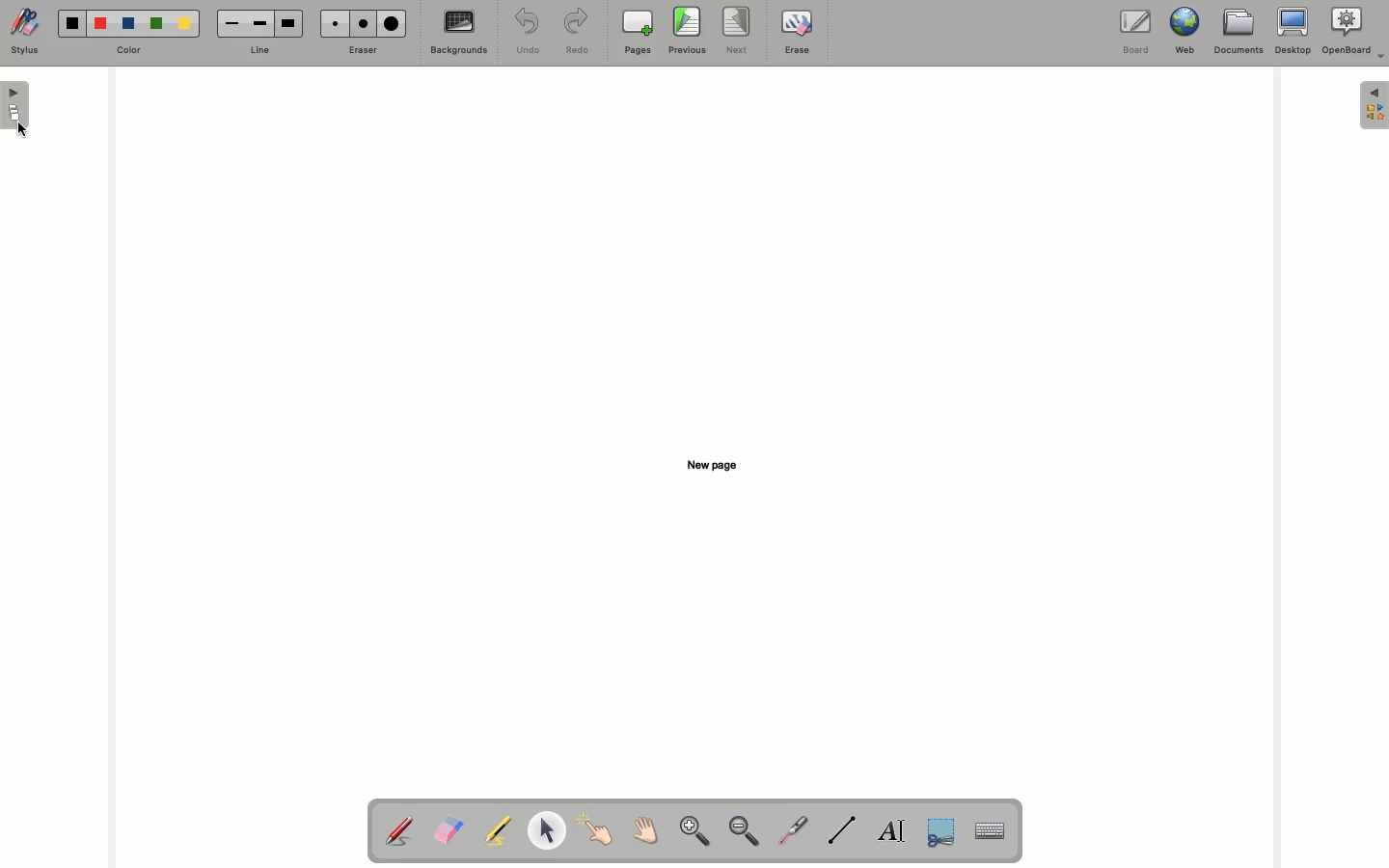 The width and height of the screenshot is (1389, 868). What do you see at coordinates (448, 830) in the screenshot?
I see `Erase annotation` at bounding box center [448, 830].